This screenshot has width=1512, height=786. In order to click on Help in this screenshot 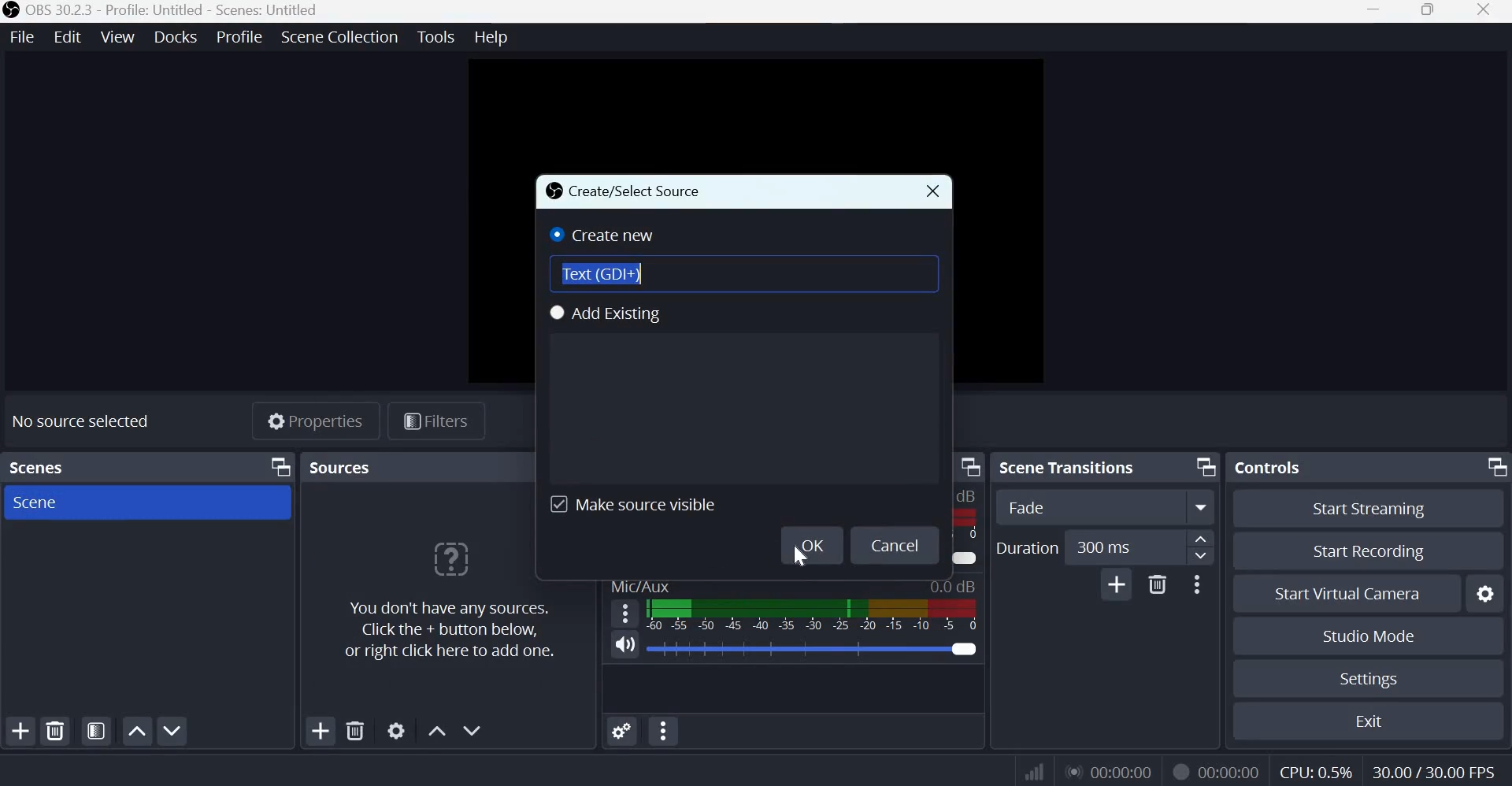, I will do `click(493, 38)`.